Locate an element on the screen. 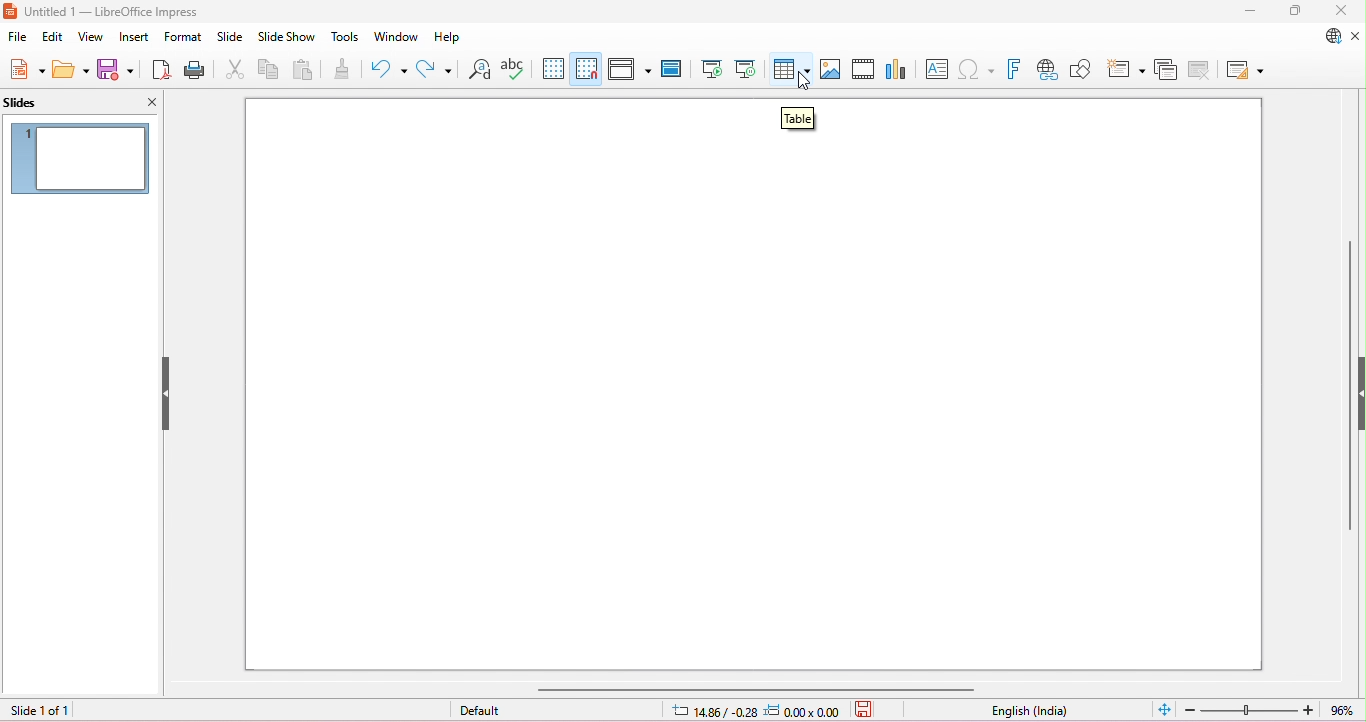 The image size is (1366, 722). paste is located at coordinates (305, 71).